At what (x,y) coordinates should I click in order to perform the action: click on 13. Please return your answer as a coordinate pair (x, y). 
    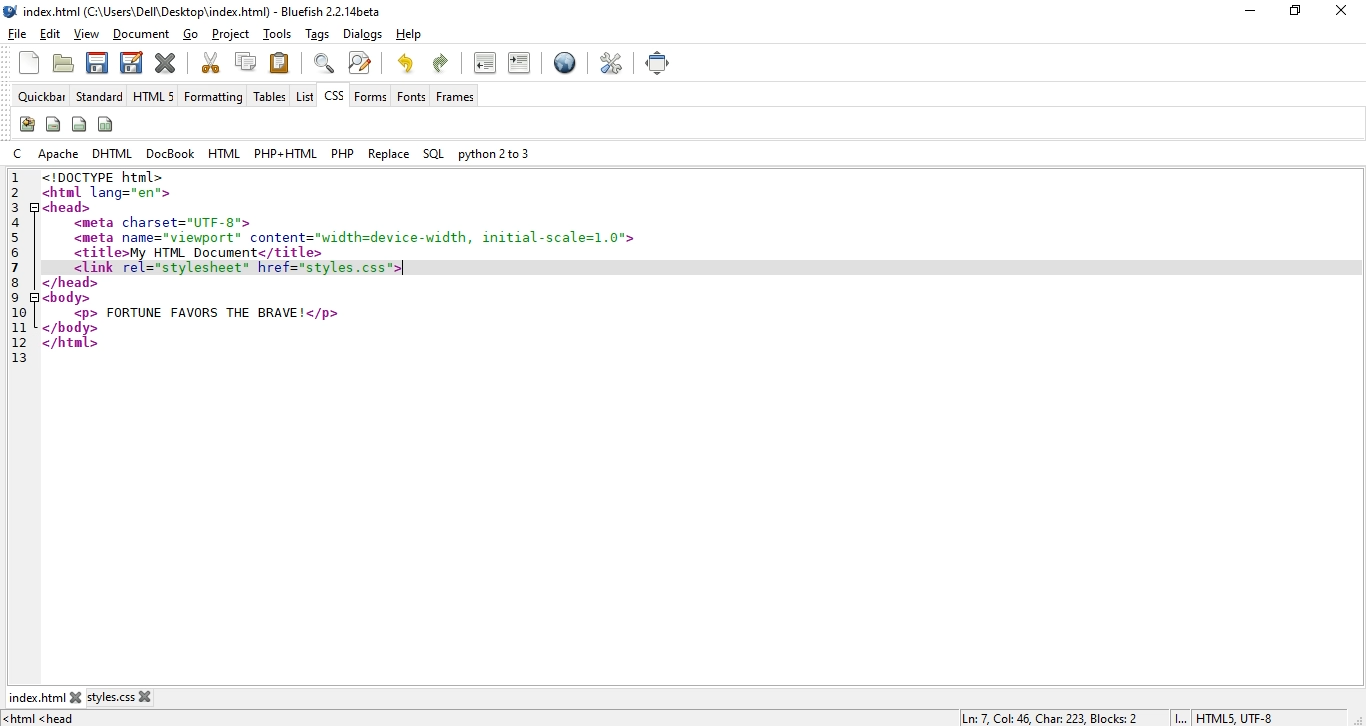
    Looking at the image, I should click on (18, 359).